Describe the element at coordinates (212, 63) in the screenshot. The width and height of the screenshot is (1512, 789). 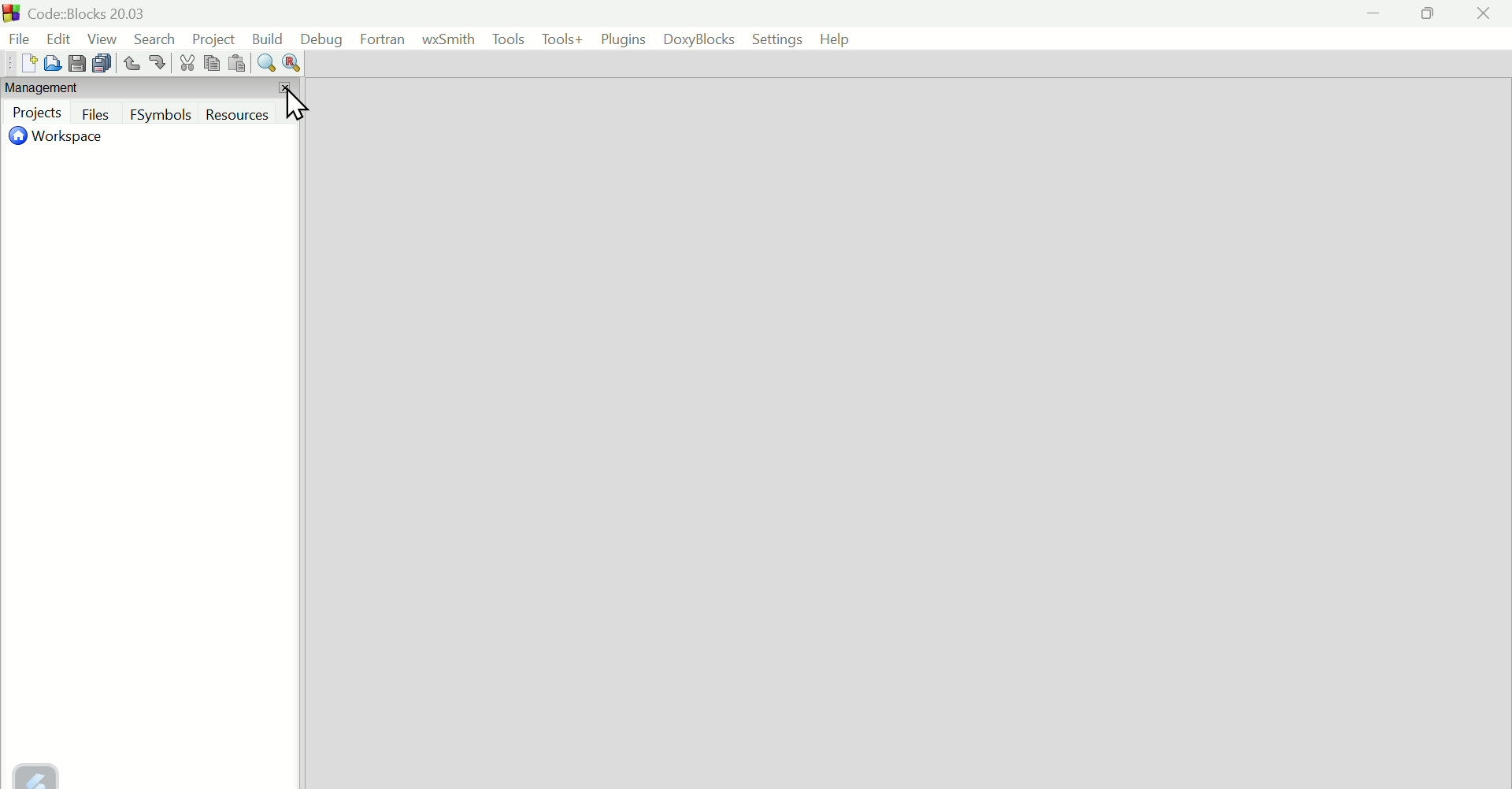
I see `copy` at that location.